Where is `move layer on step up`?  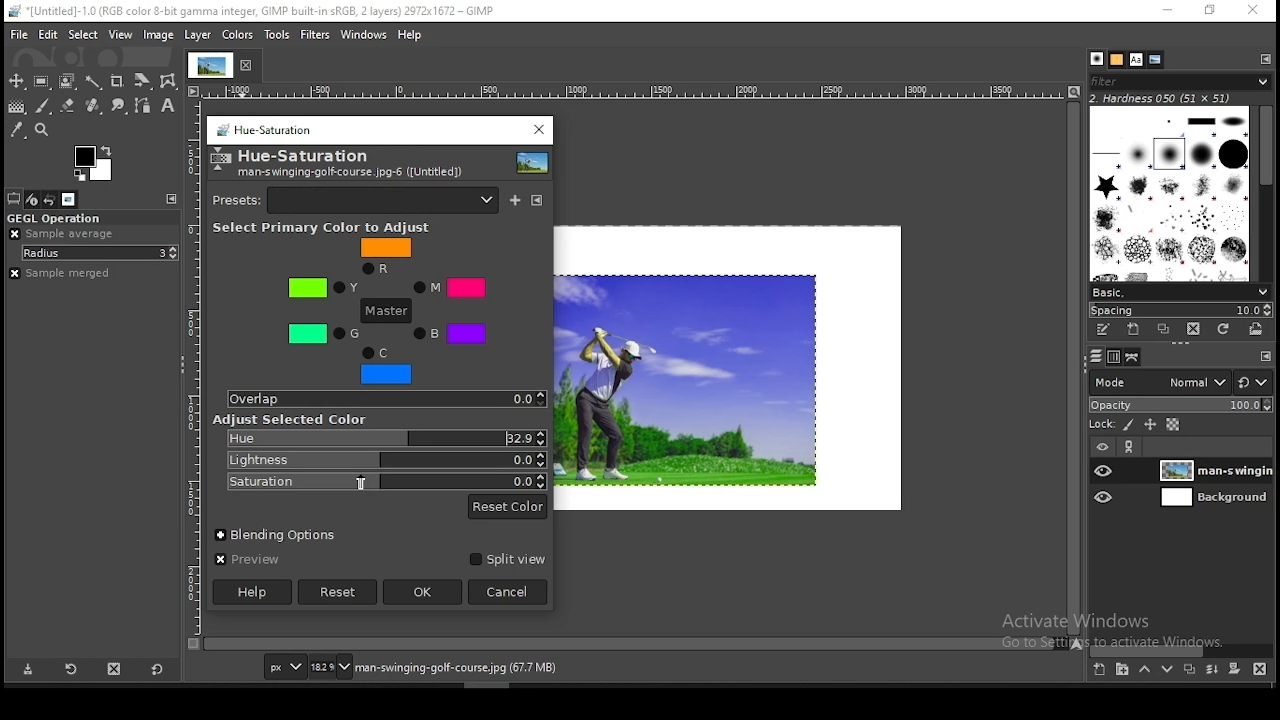
move layer on step up is located at coordinates (1146, 670).